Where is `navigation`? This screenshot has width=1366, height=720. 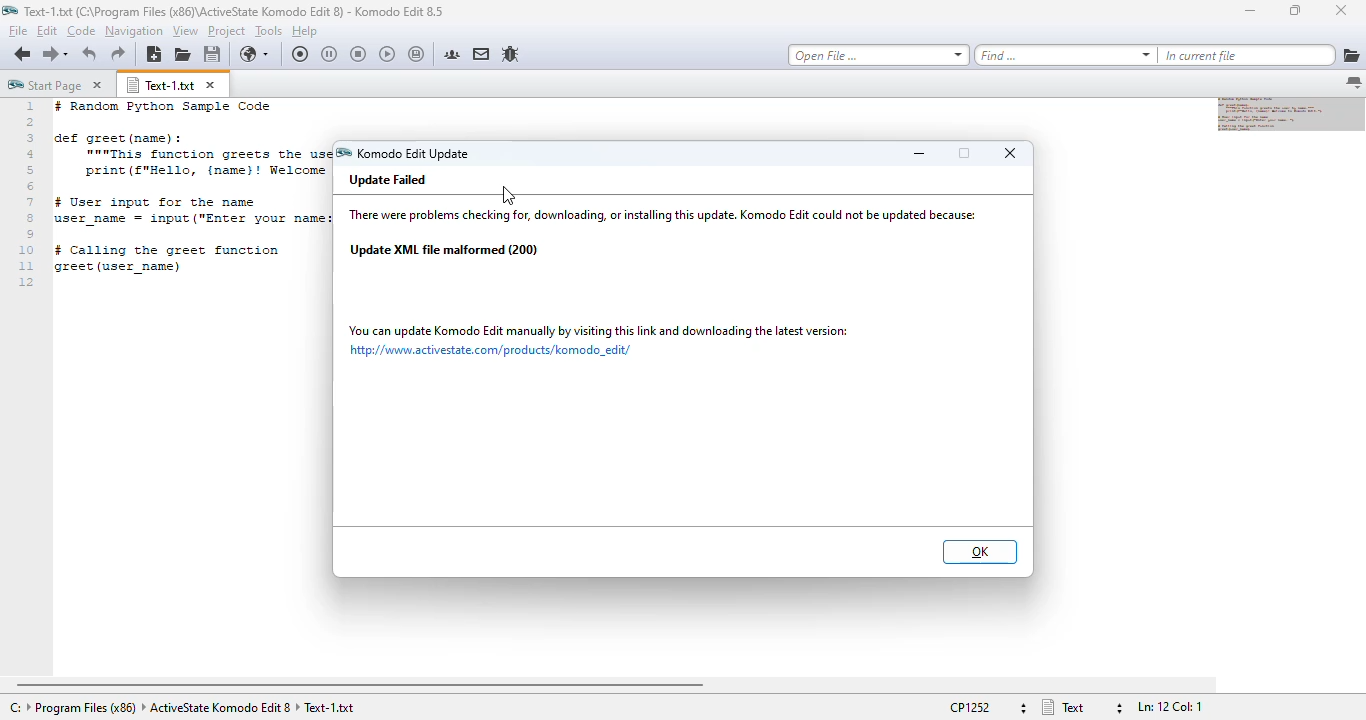
navigation is located at coordinates (134, 31).